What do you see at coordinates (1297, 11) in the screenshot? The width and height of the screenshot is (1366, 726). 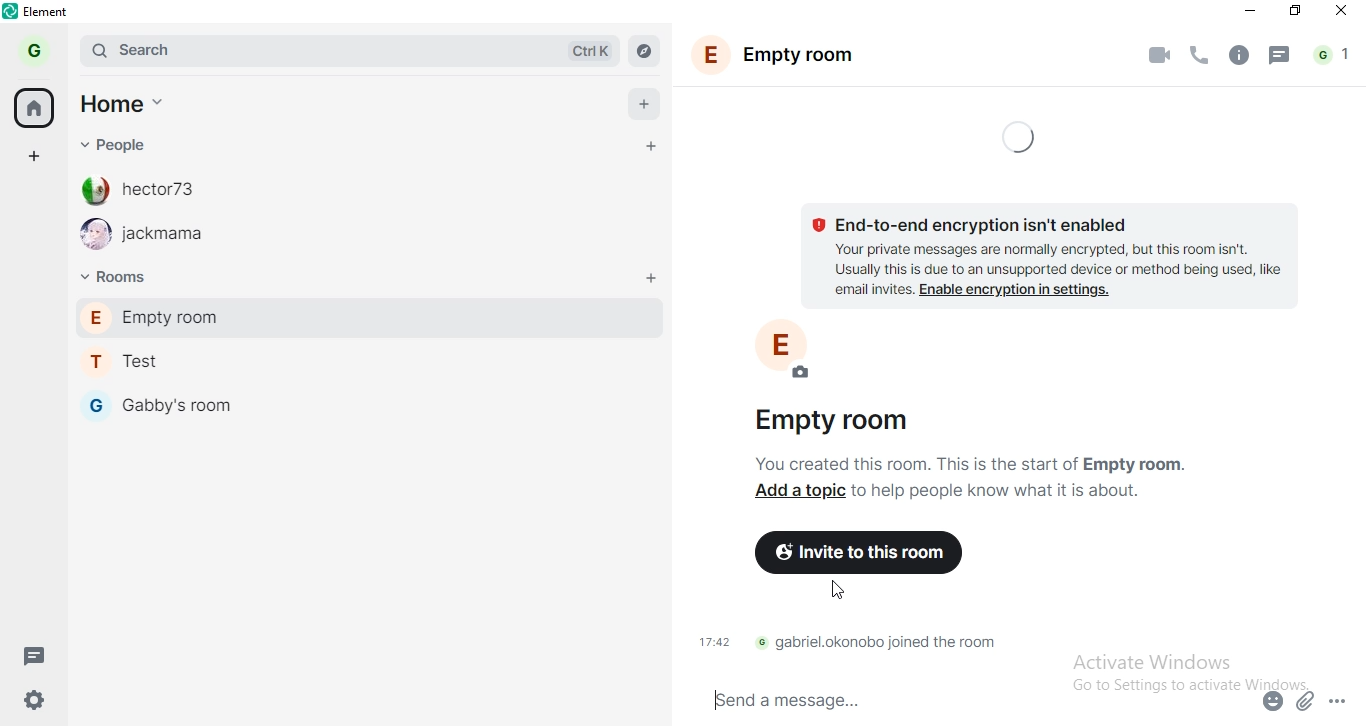 I see `restore` at bounding box center [1297, 11].